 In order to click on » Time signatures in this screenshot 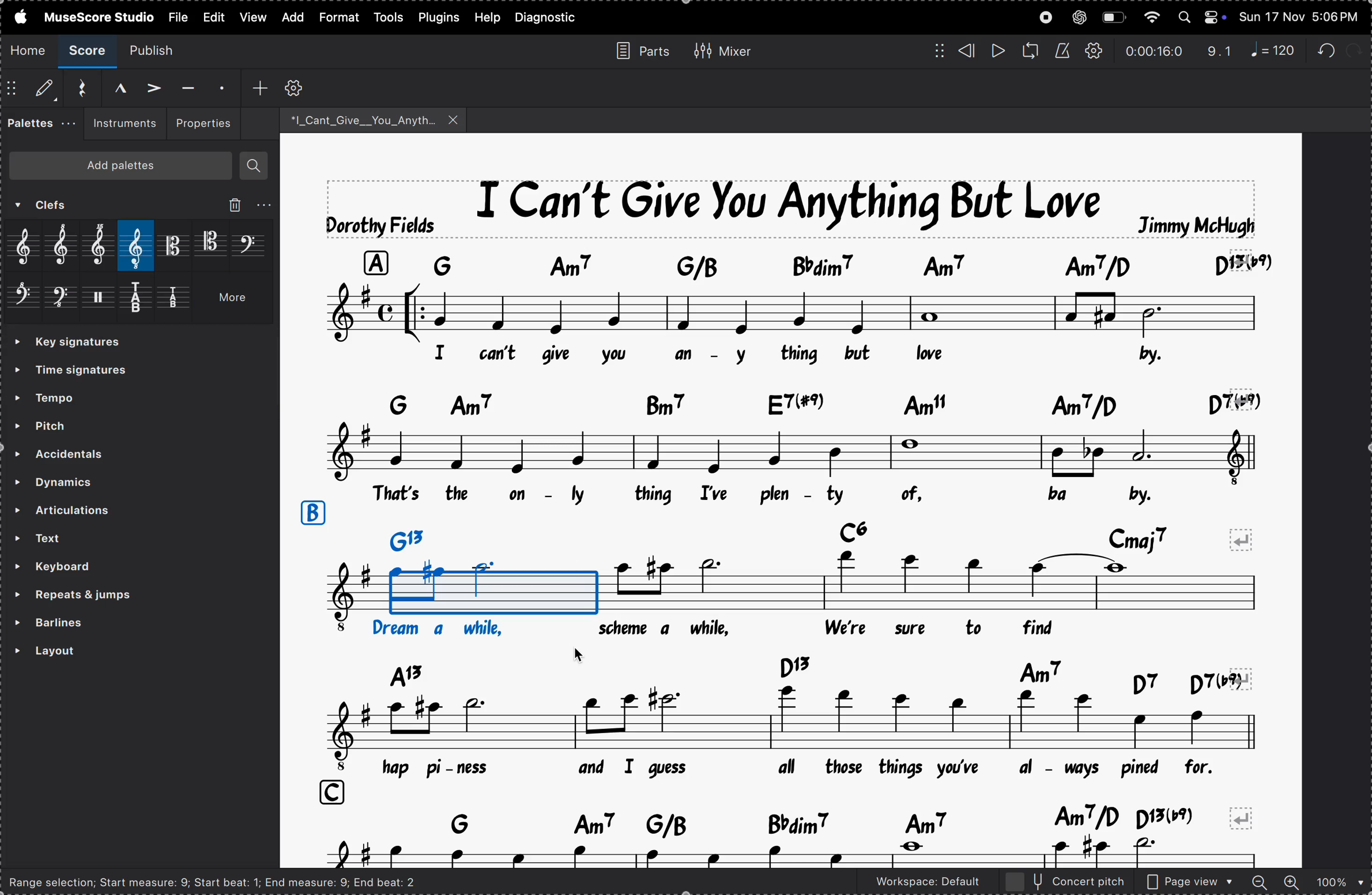, I will do `click(75, 343)`.